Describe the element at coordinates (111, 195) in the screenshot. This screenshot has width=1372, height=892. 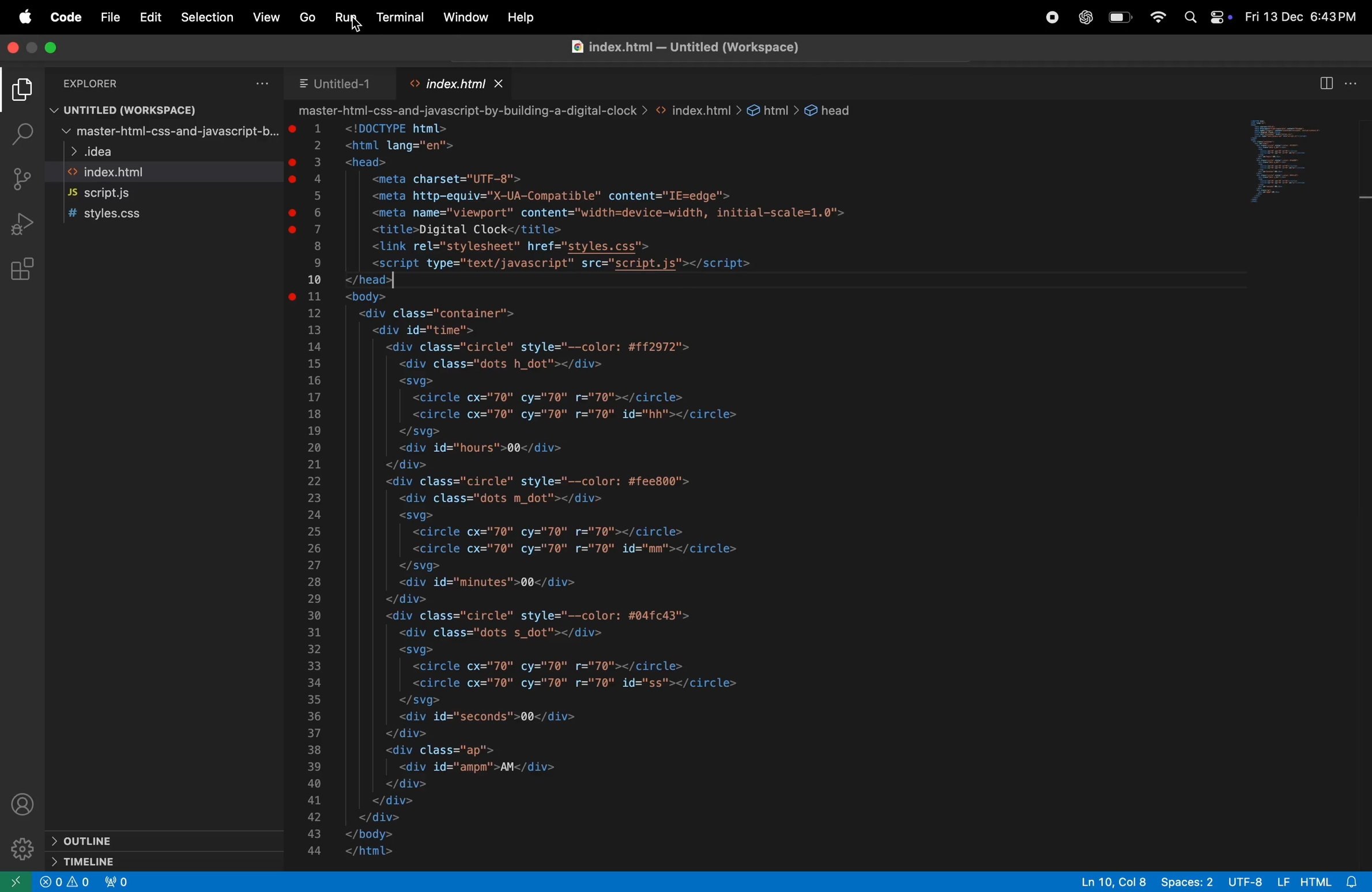
I see `Script.js` at that location.